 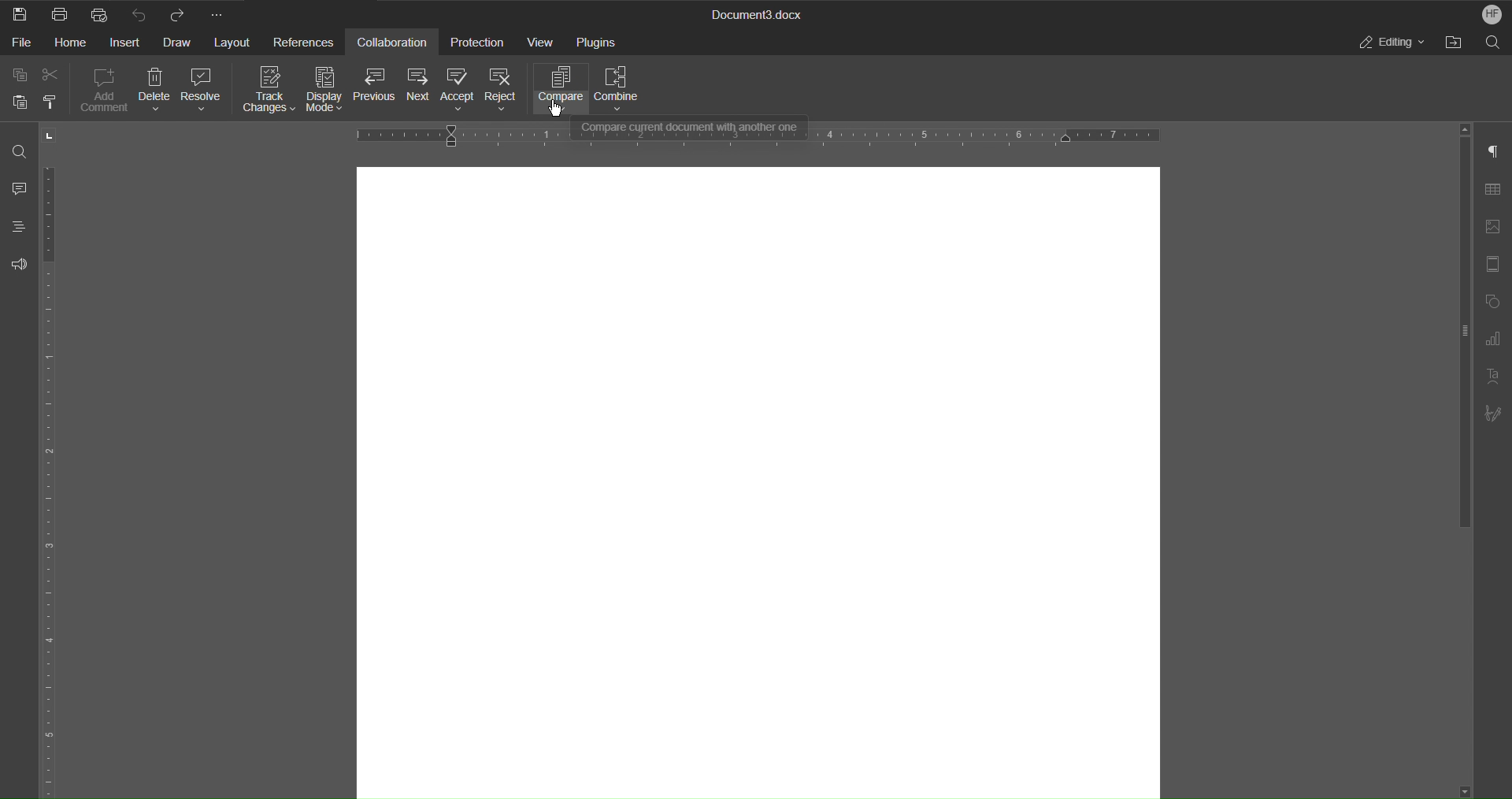 What do you see at coordinates (22, 102) in the screenshot?
I see `Paste` at bounding box center [22, 102].